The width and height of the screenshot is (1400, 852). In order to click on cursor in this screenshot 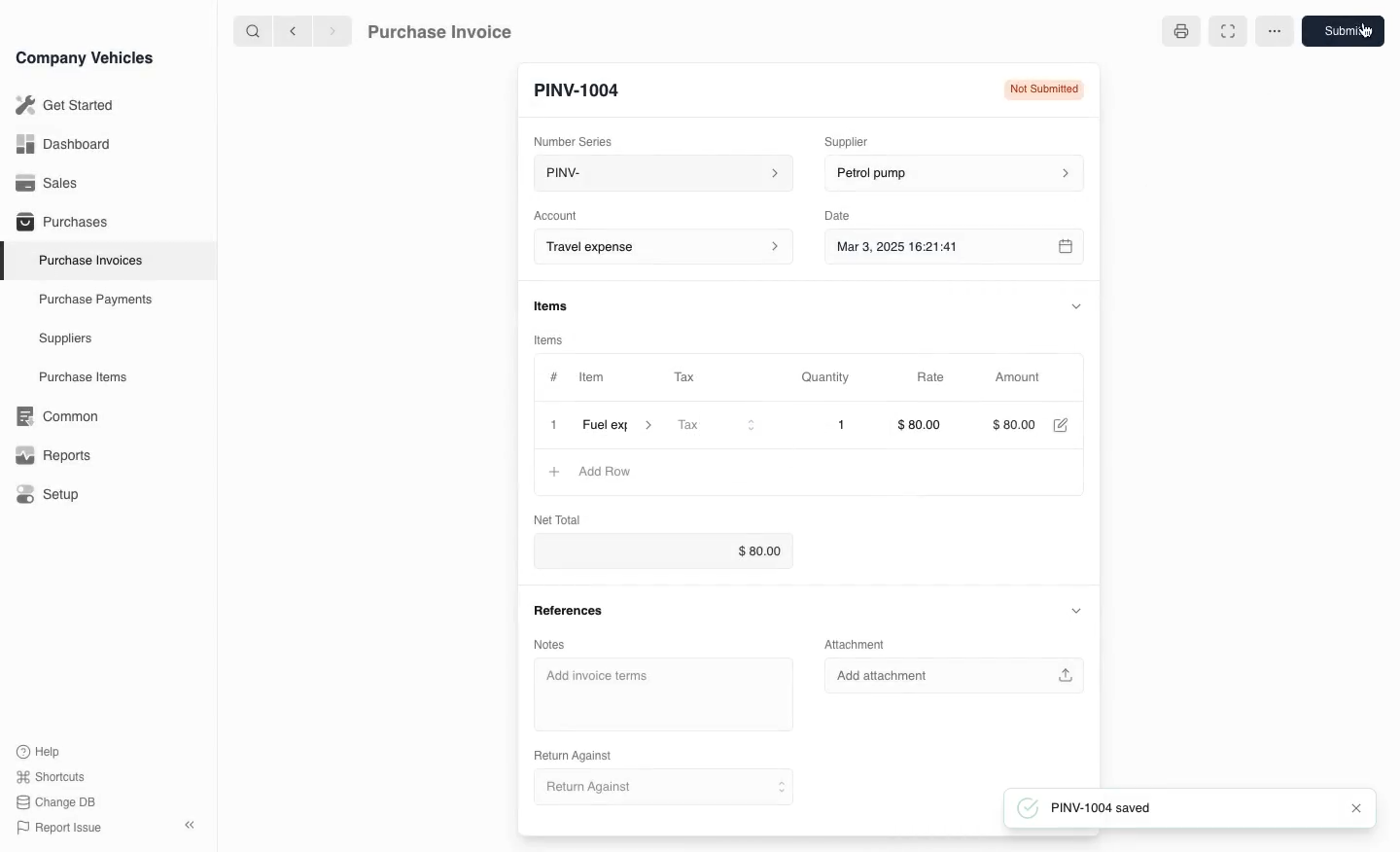, I will do `click(1365, 32)`.